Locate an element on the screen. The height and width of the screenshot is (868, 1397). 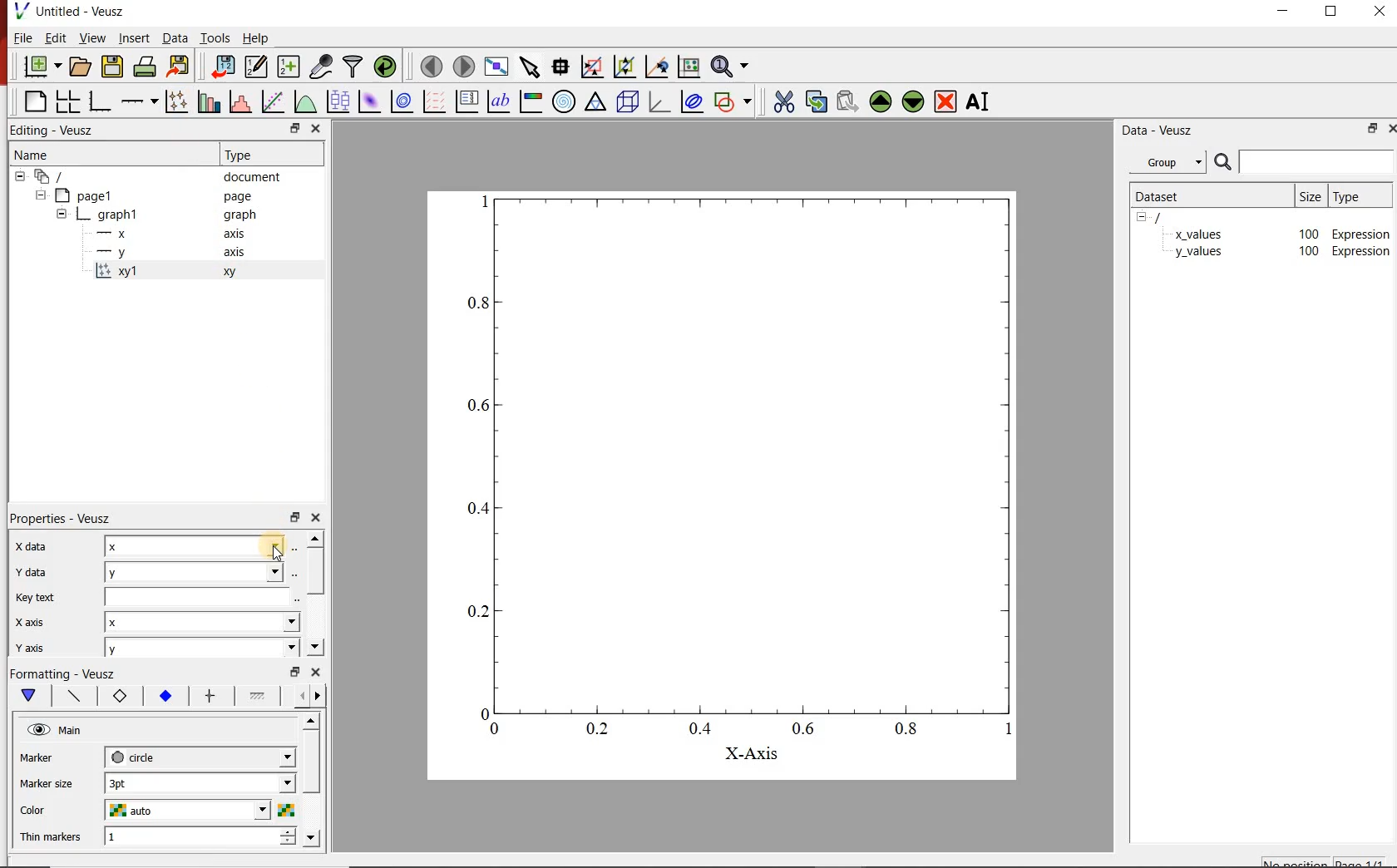
X-Axis is located at coordinates (751, 754).